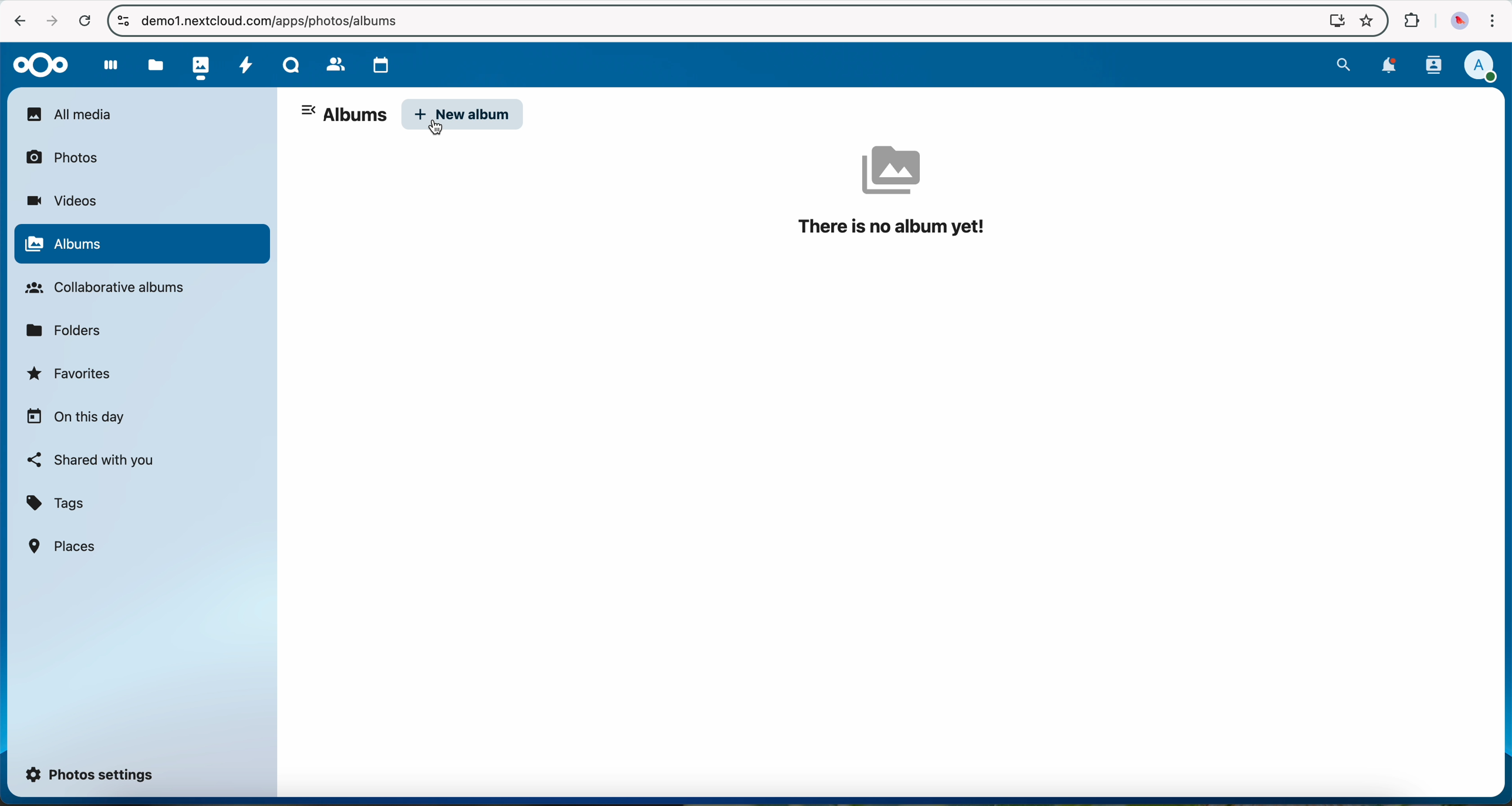 Image resolution: width=1512 pixels, height=806 pixels. What do you see at coordinates (1365, 22) in the screenshot?
I see `favorites` at bounding box center [1365, 22].